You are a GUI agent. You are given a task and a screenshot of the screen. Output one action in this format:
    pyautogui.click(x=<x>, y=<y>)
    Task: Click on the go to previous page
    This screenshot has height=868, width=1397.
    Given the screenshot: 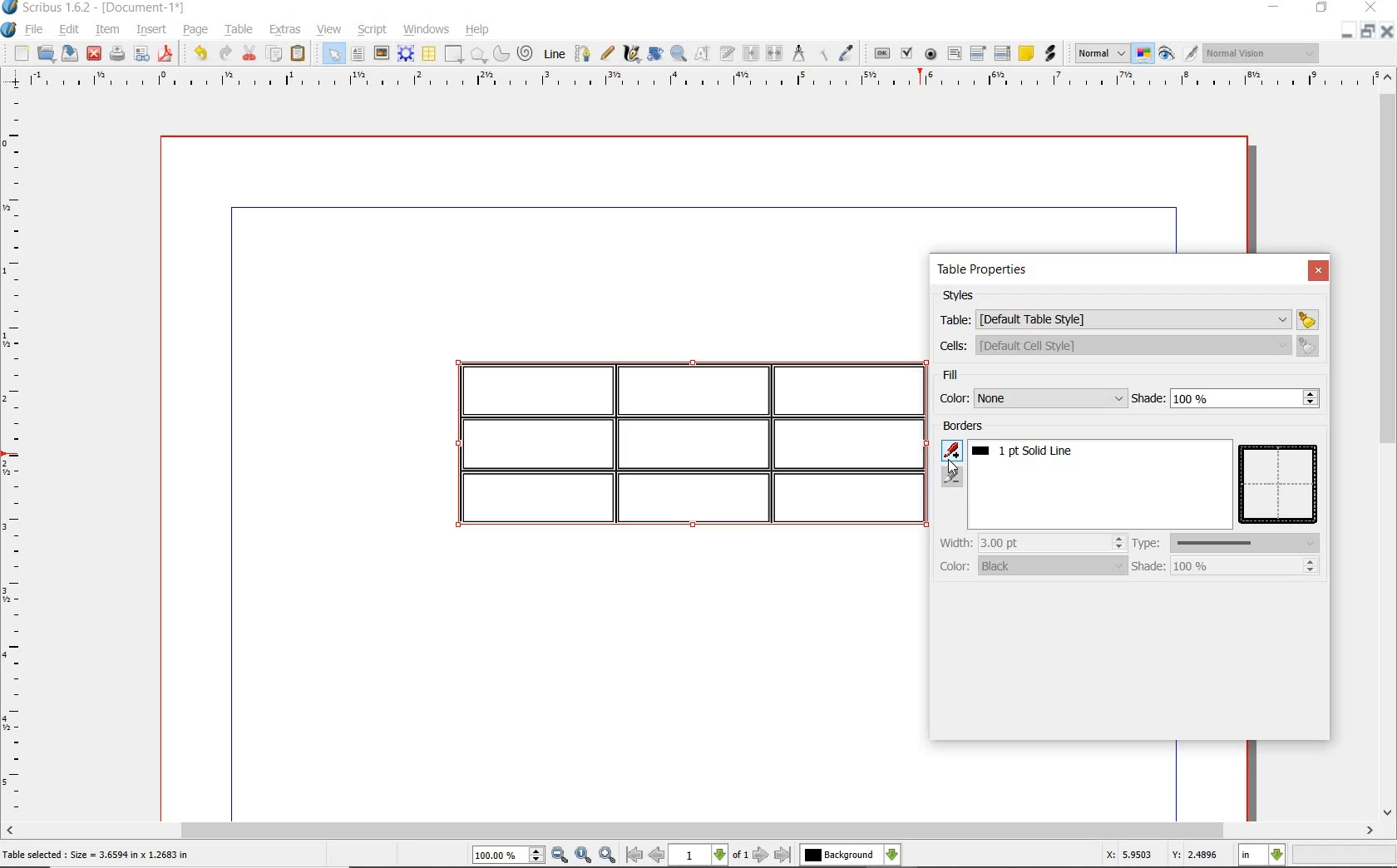 What is the action you would take?
    pyautogui.click(x=657, y=856)
    